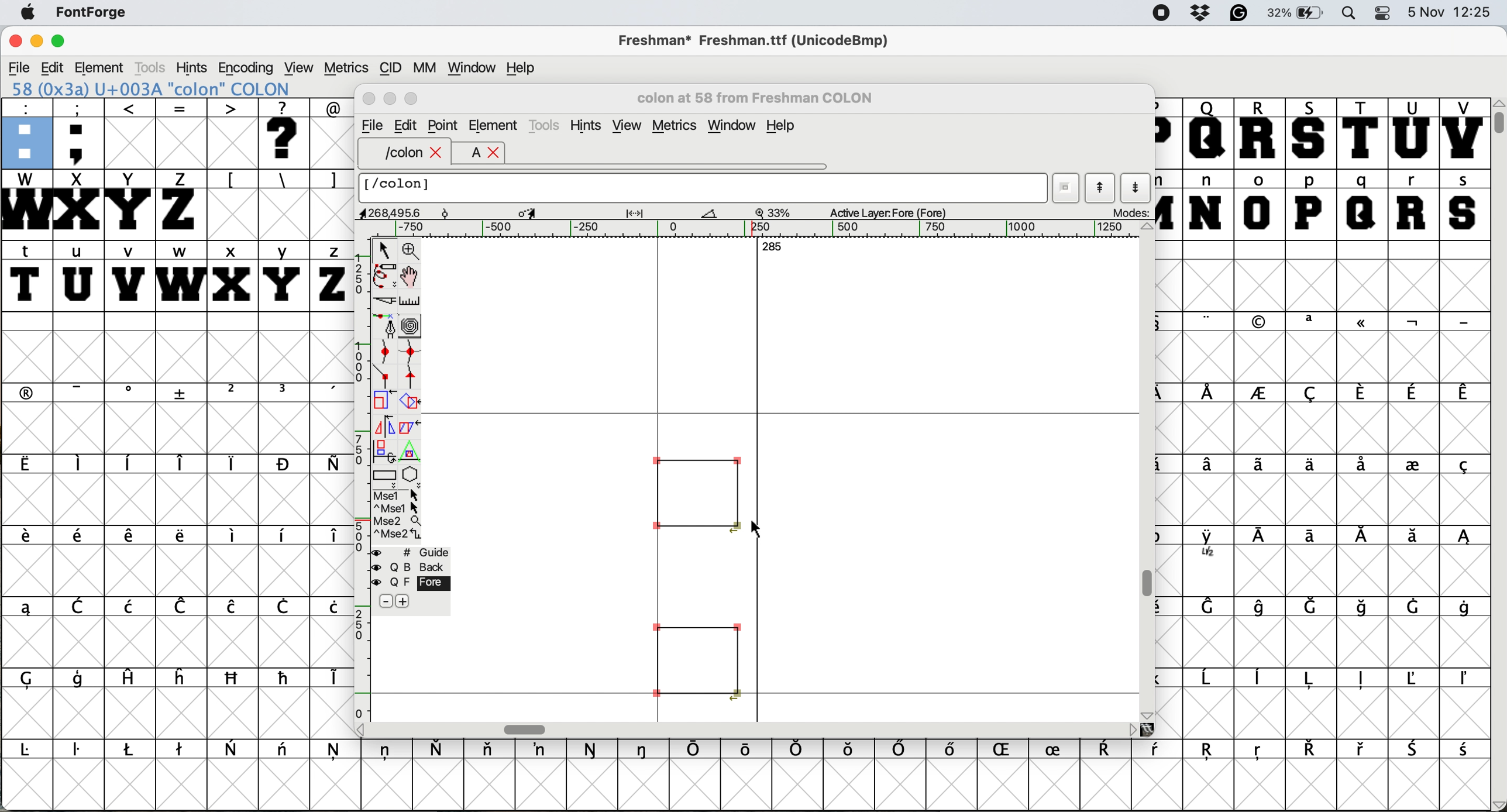 The height and width of the screenshot is (812, 1507). Describe the element at coordinates (1210, 393) in the screenshot. I see `symbol` at that location.